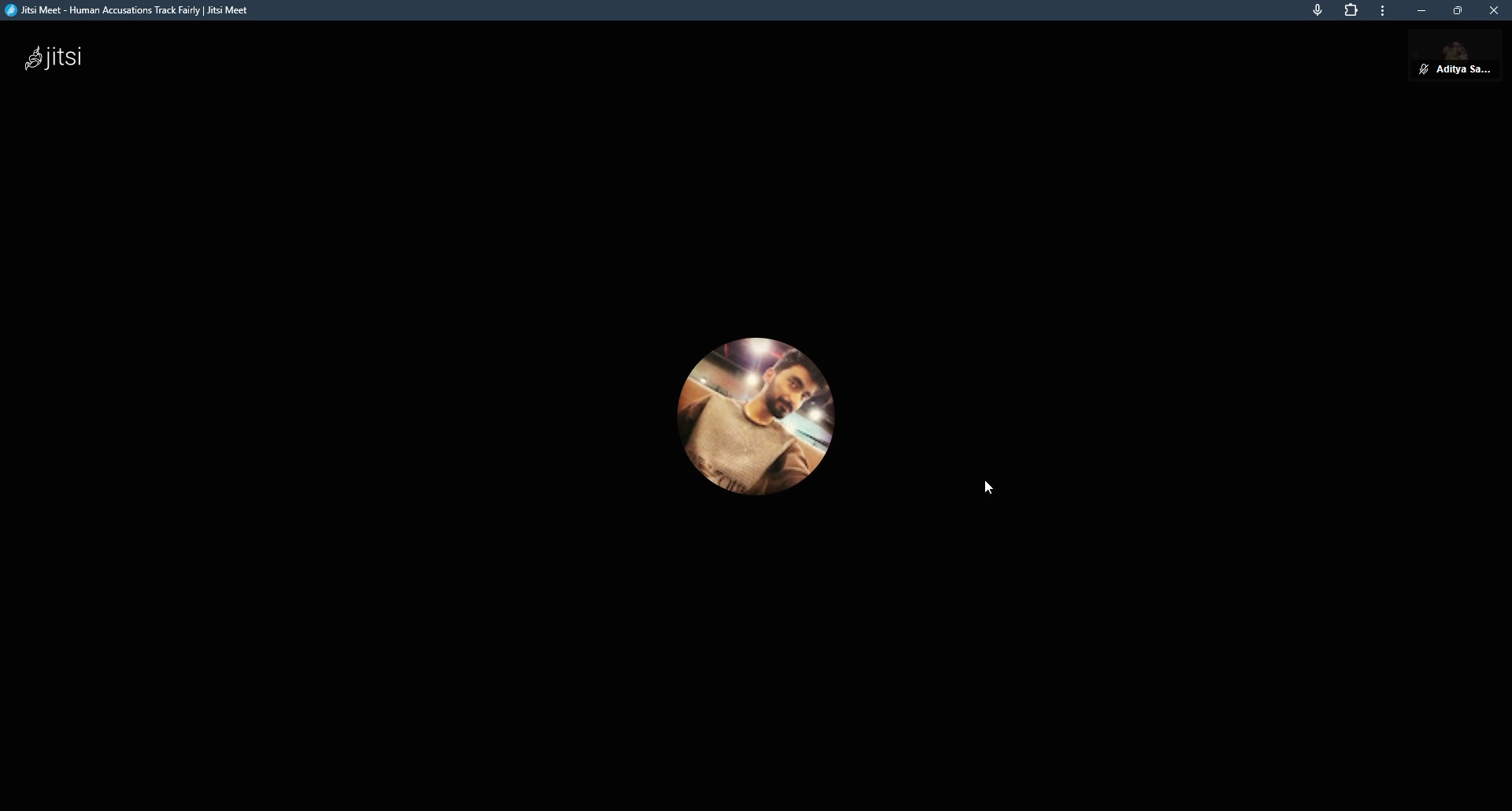 The image size is (1512, 811). I want to click on extensions, so click(1351, 10).